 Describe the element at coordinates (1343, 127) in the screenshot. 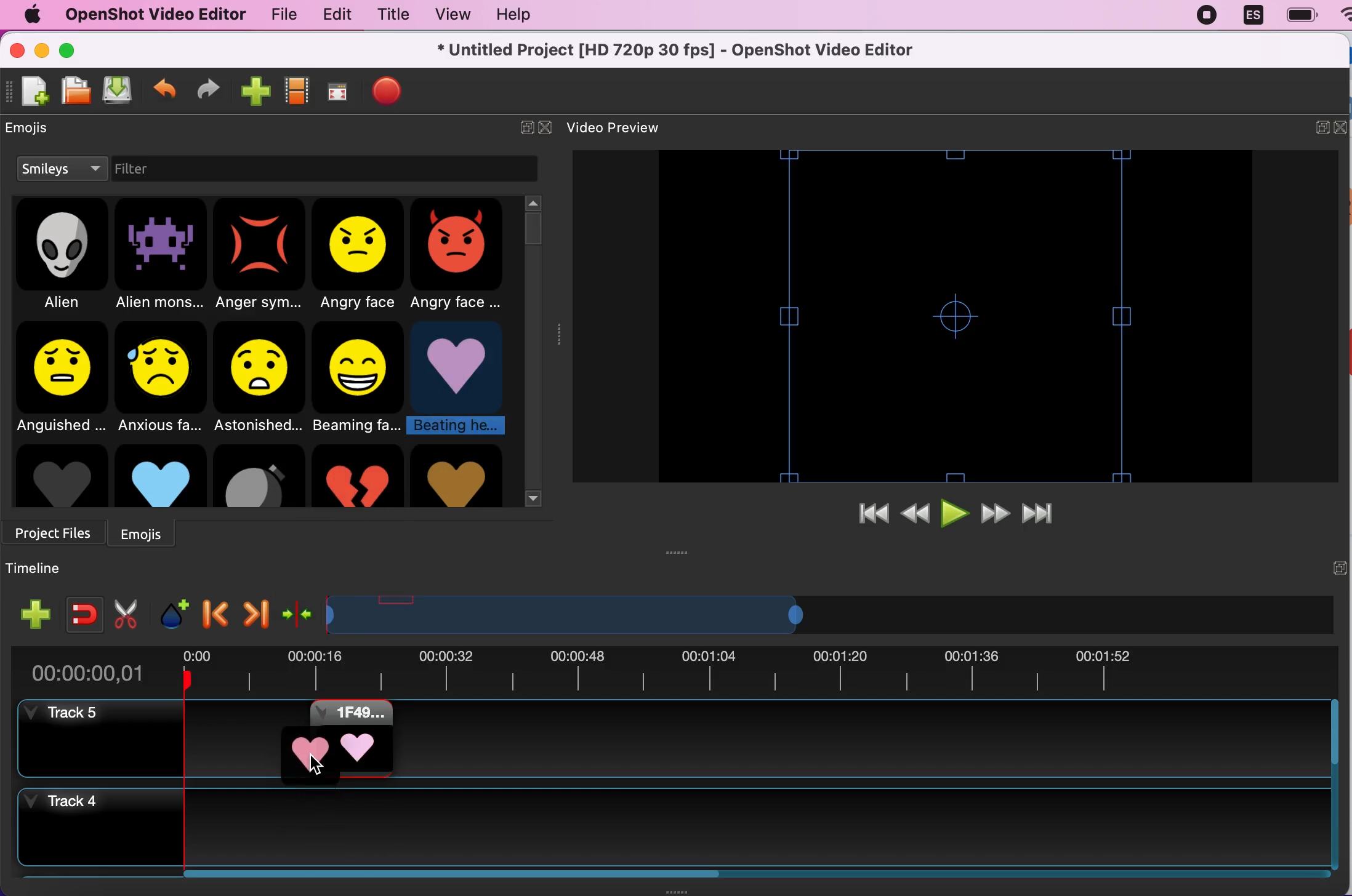

I see `close` at that location.